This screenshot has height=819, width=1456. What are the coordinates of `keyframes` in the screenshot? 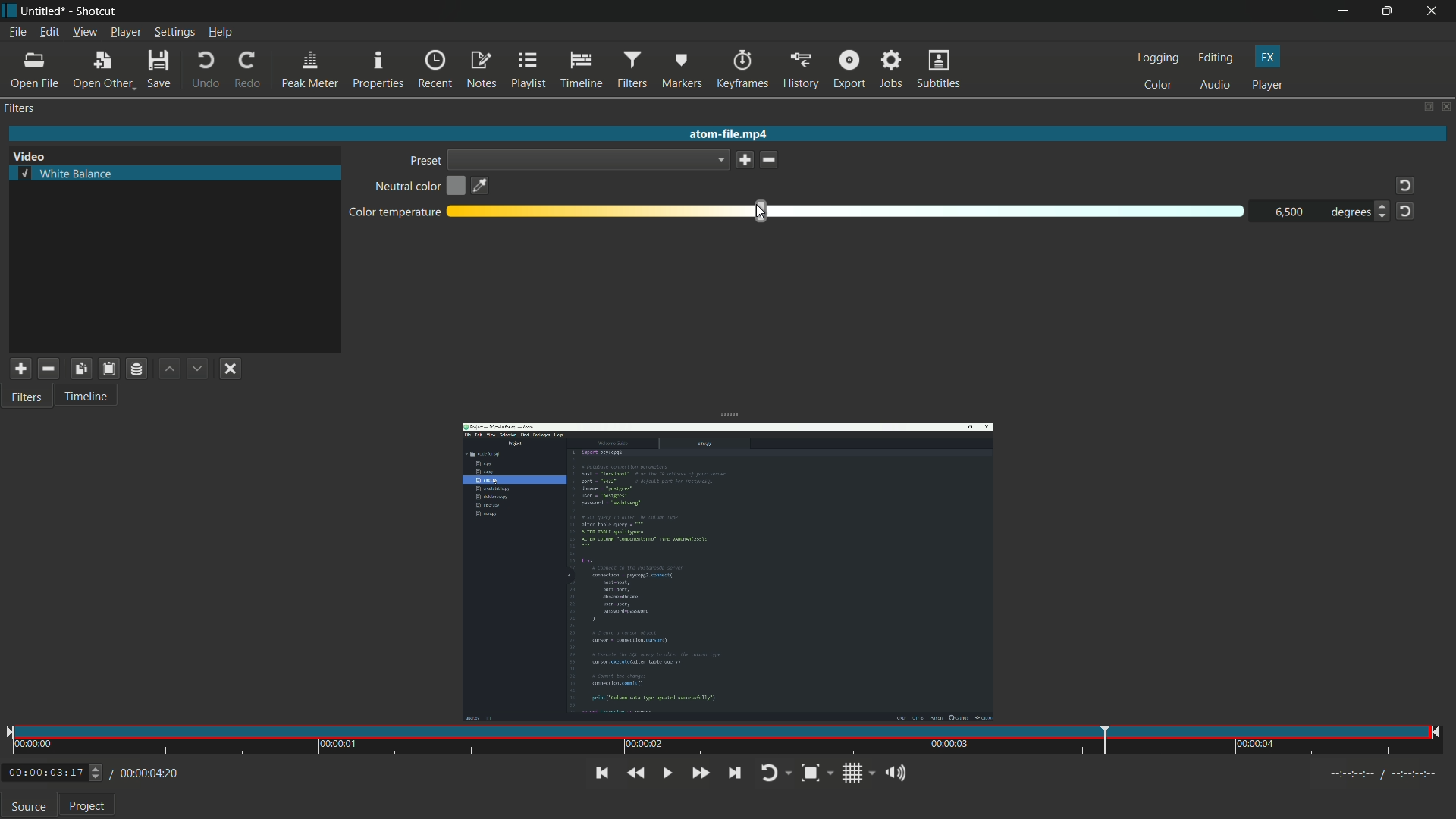 It's located at (743, 69).